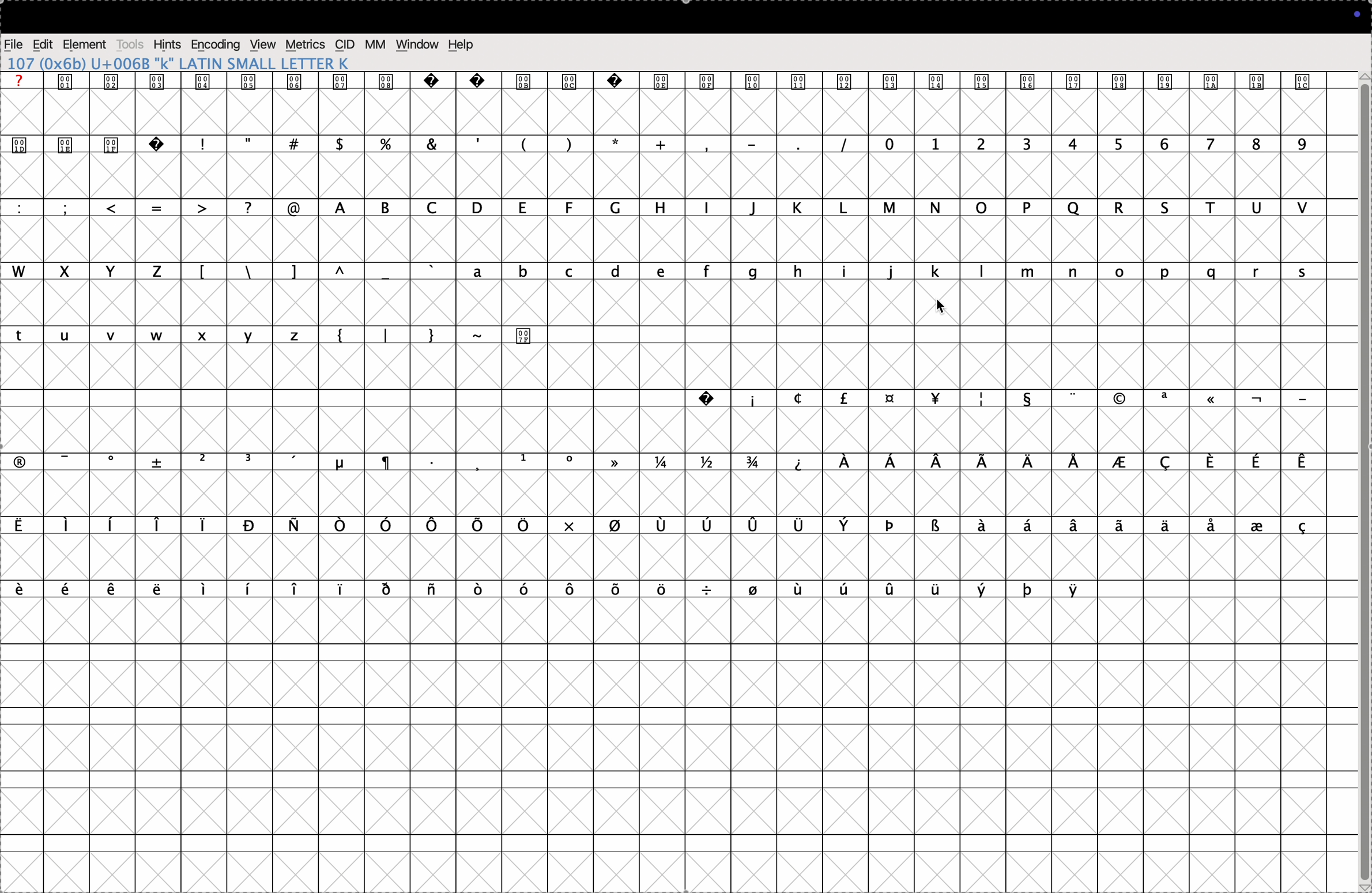 The height and width of the screenshot is (893, 1372). What do you see at coordinates (390, 143) in the screenshot?
I see `%` at bounding box center [390, 143].